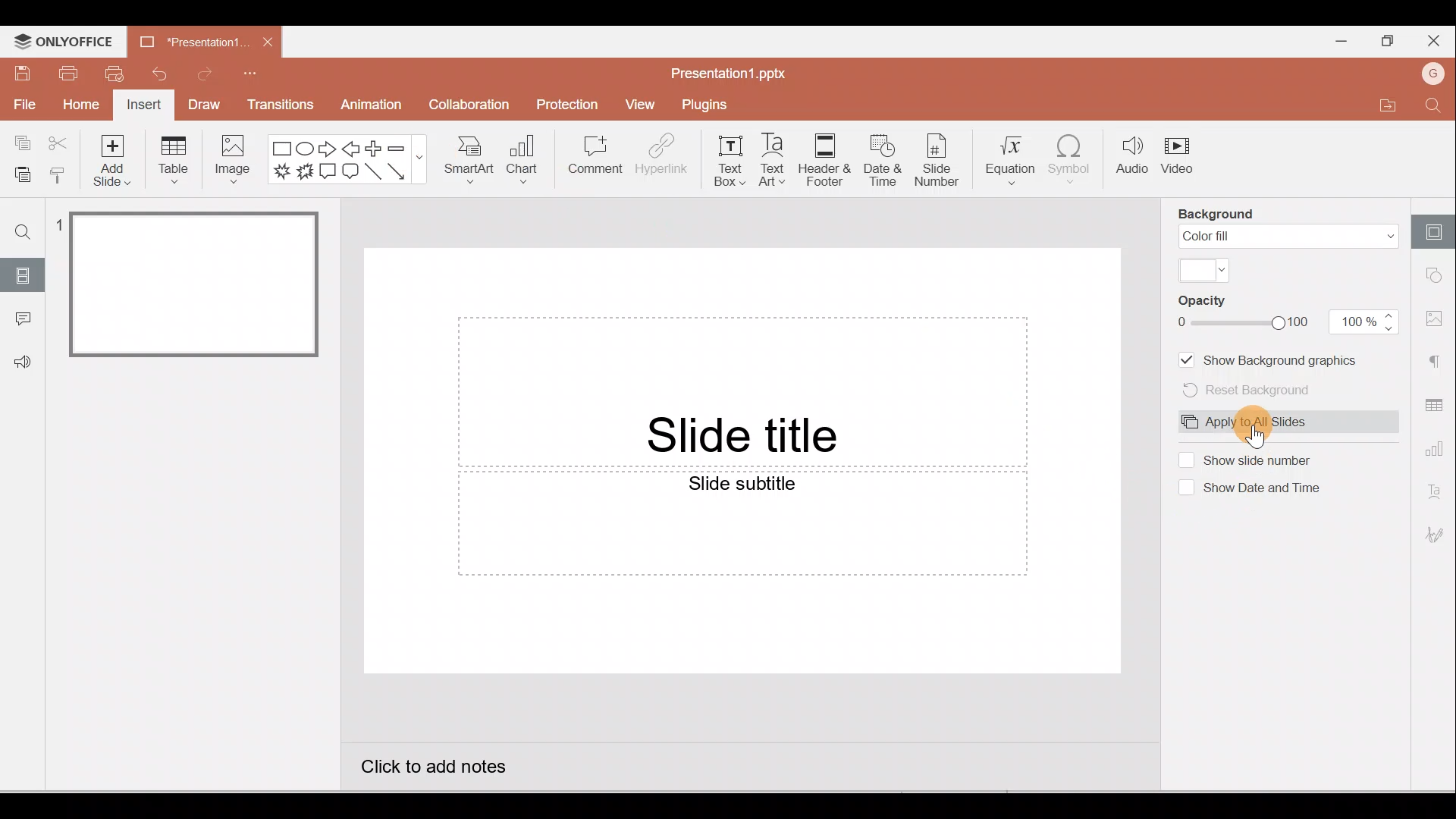 Image resolution: width=1456 pixels, height=819 pixels. I want to click on Rectangular callout, so click(328, 174).